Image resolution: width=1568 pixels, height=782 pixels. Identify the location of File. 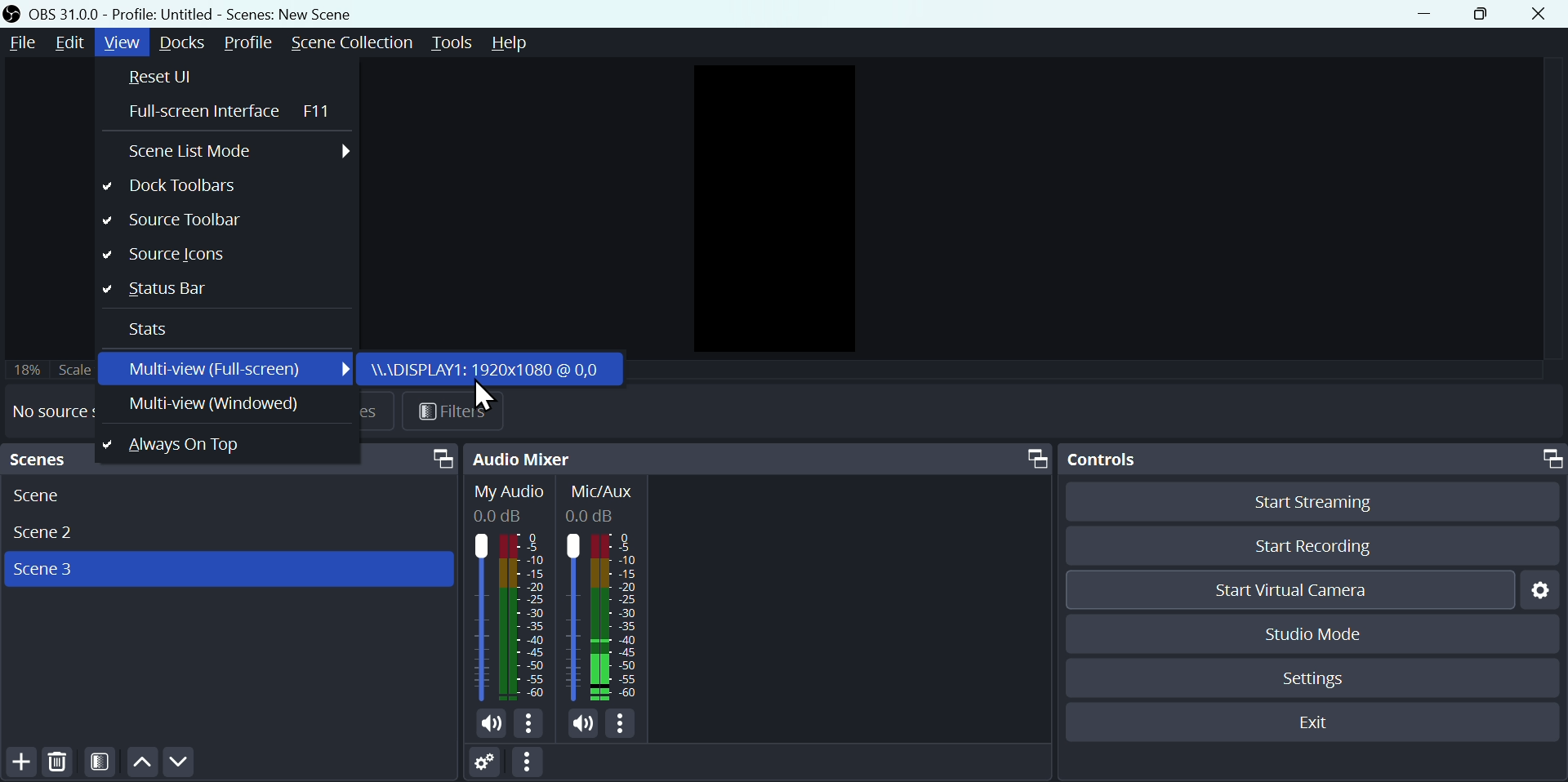
(20, 43).